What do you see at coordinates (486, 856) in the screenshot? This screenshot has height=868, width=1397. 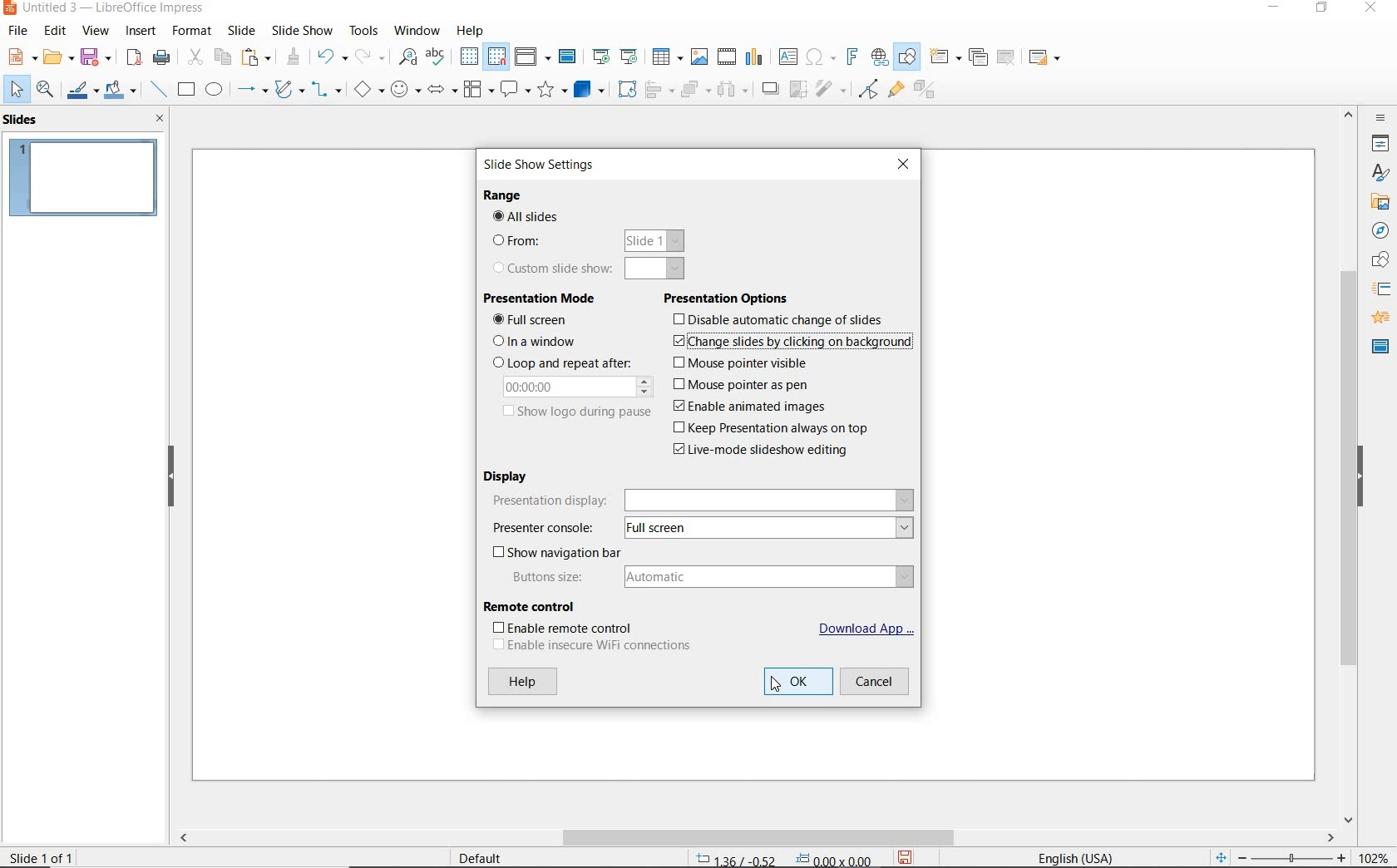 I see `DEFAULT` at bounding box center [486, 856].